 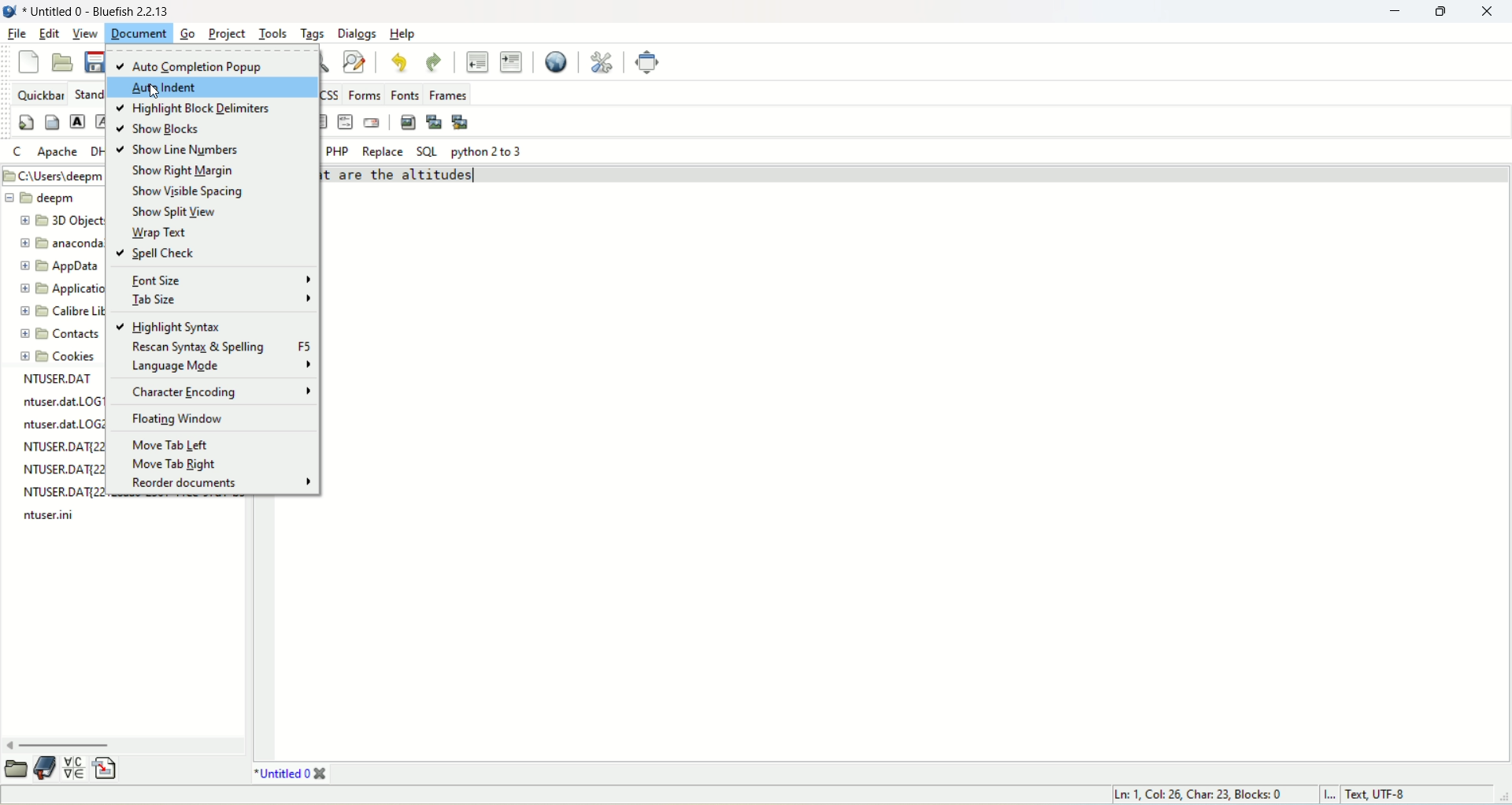 I want to click on document, so click(x=140, y=33).